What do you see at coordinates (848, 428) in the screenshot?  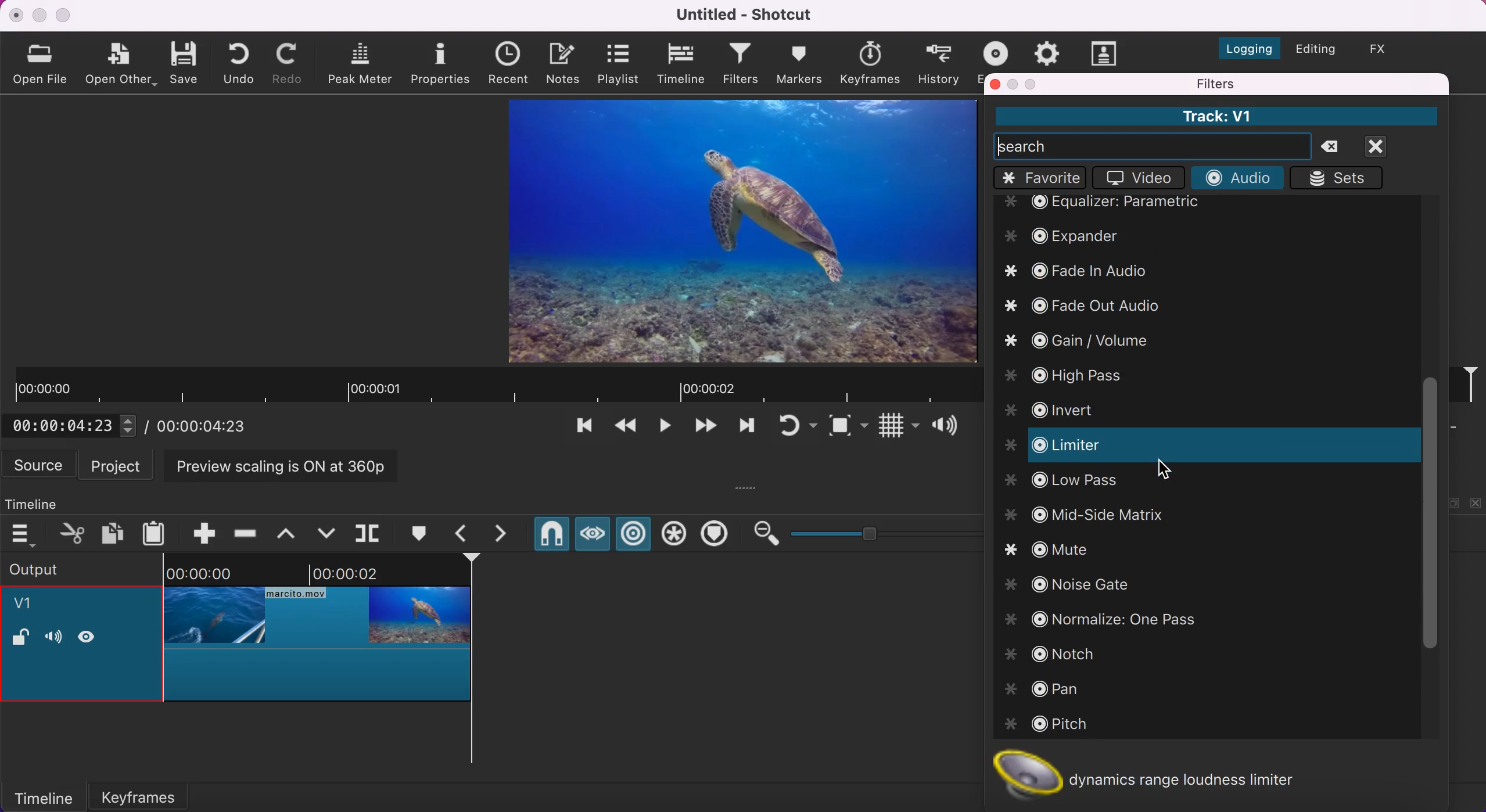 I see `toggle zoom` at bounding box center [848, 428].